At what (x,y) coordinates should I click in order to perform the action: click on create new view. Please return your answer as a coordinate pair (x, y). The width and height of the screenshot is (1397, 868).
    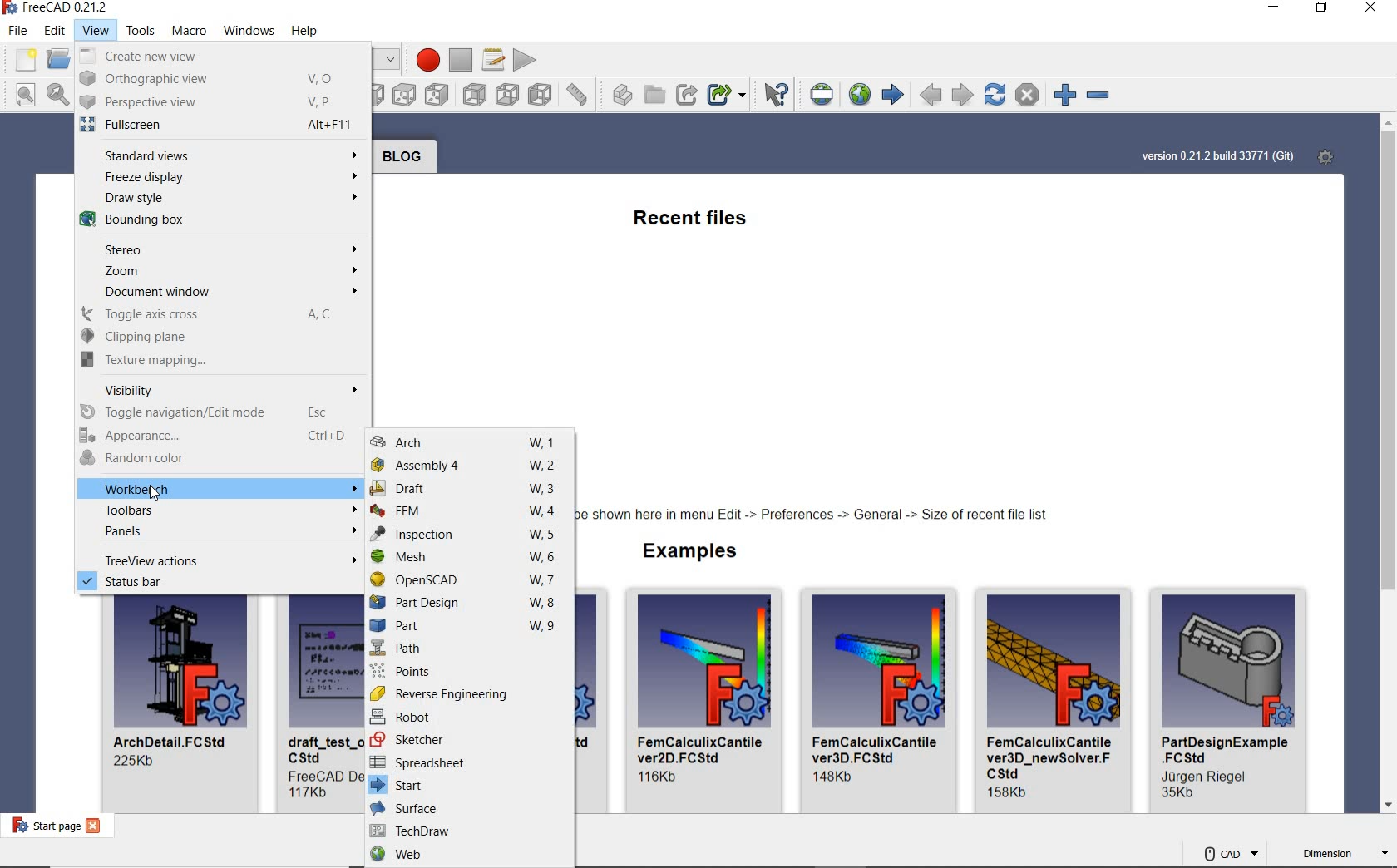
    Looking at the image, I should click on (221, 57).